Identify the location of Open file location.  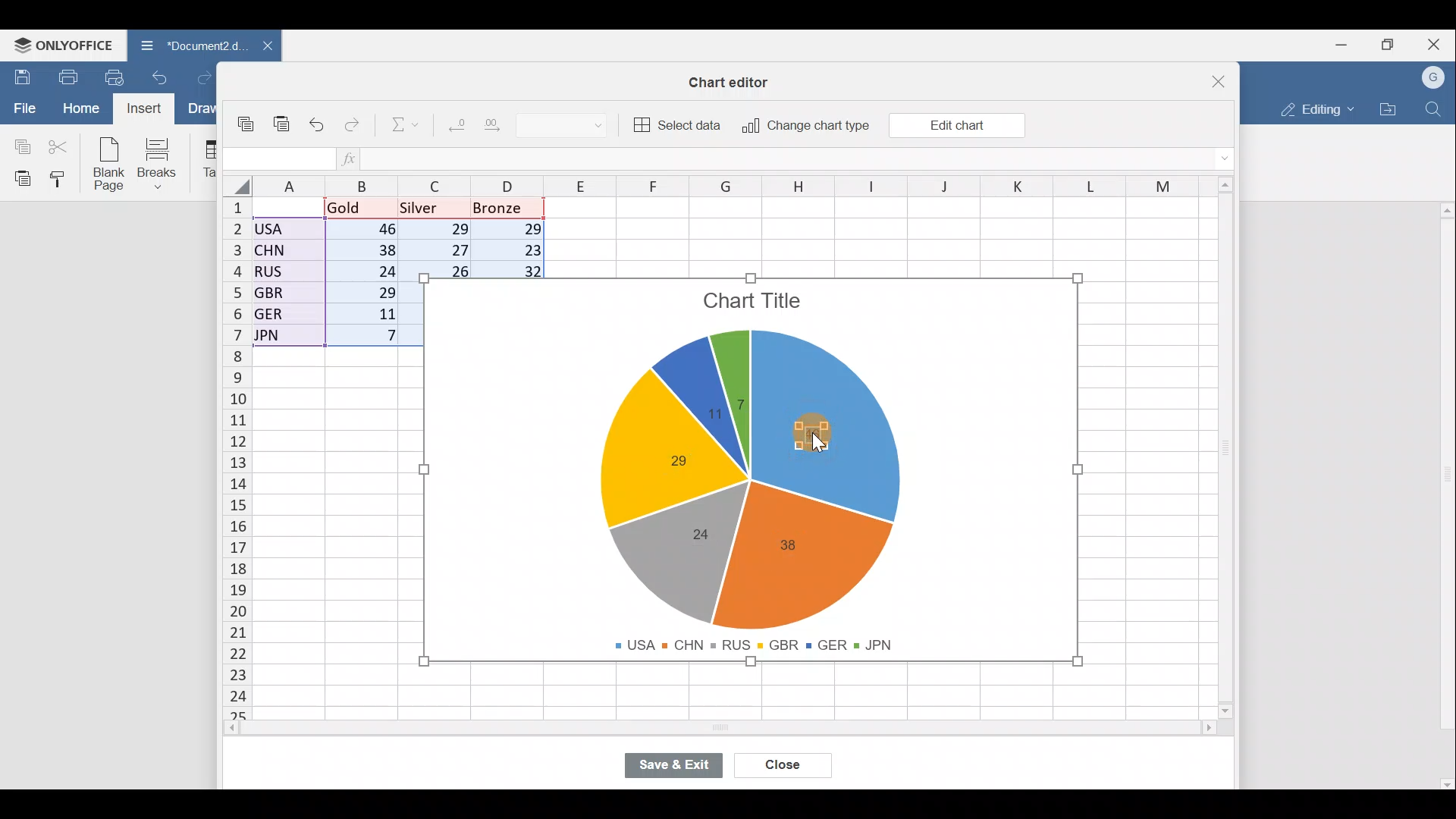
(1388, 109).